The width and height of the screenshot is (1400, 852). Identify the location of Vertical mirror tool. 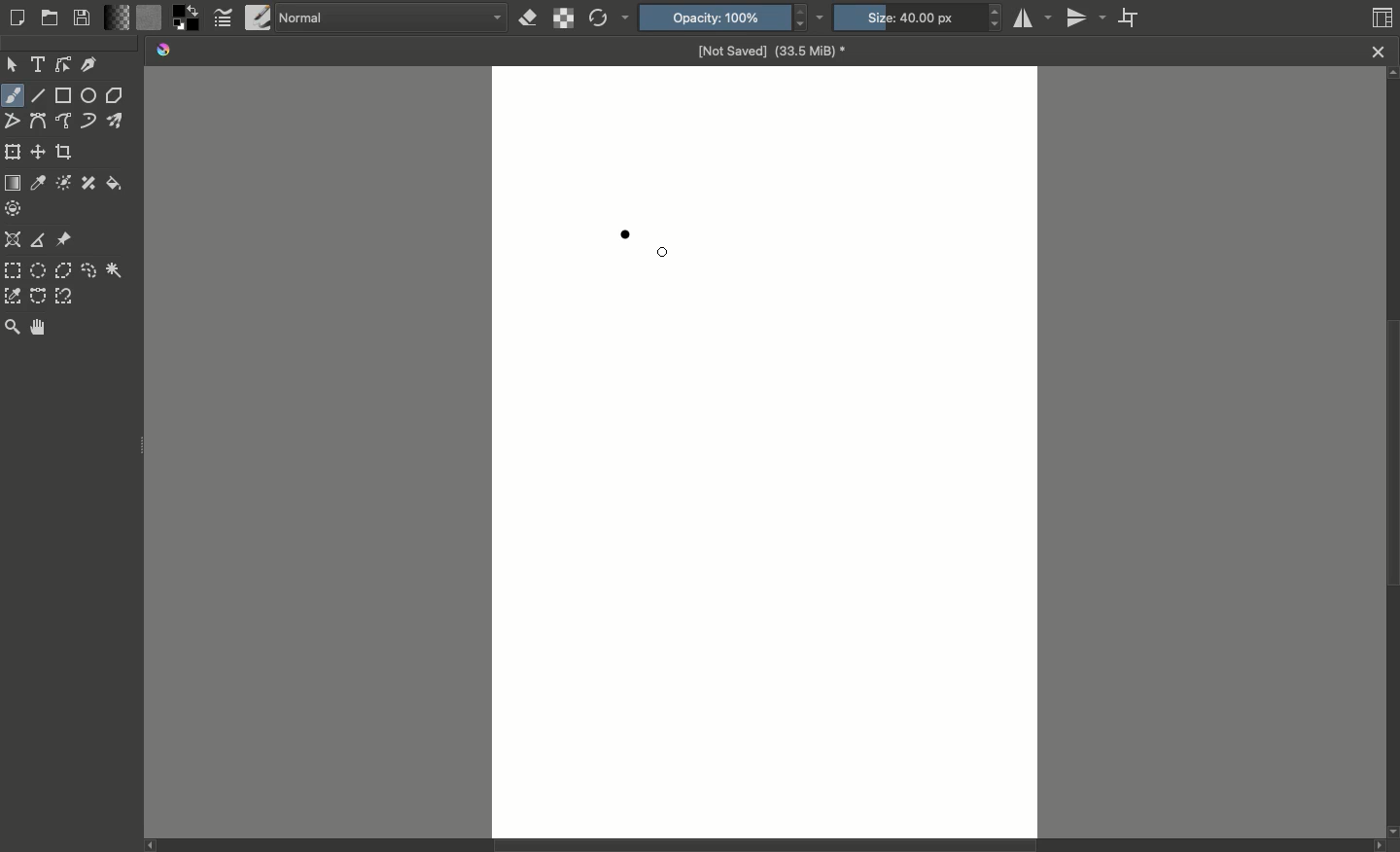
(1089, 17).